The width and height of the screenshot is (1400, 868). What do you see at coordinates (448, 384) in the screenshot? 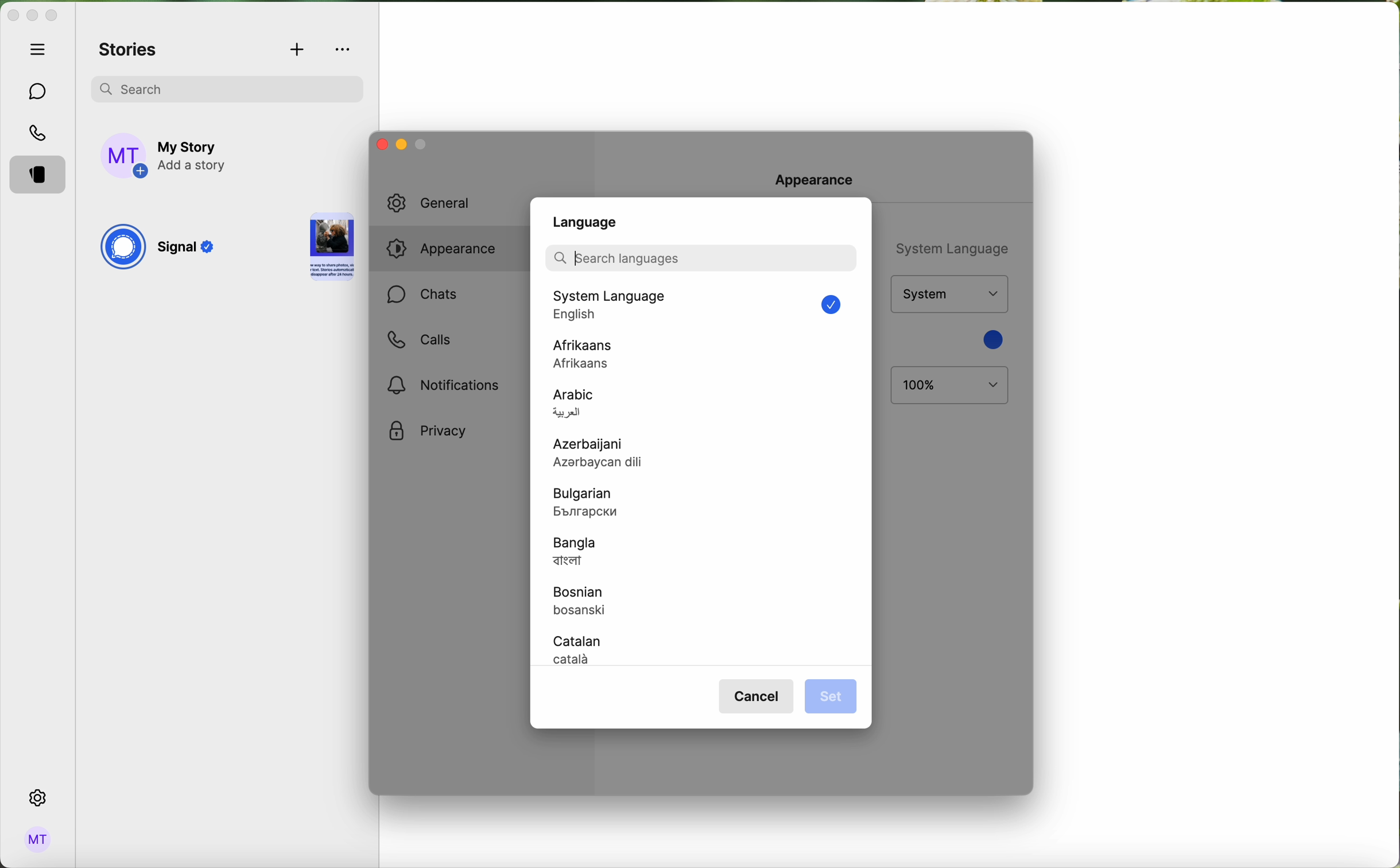
I see `notifications` at bounding box center [448, 384].